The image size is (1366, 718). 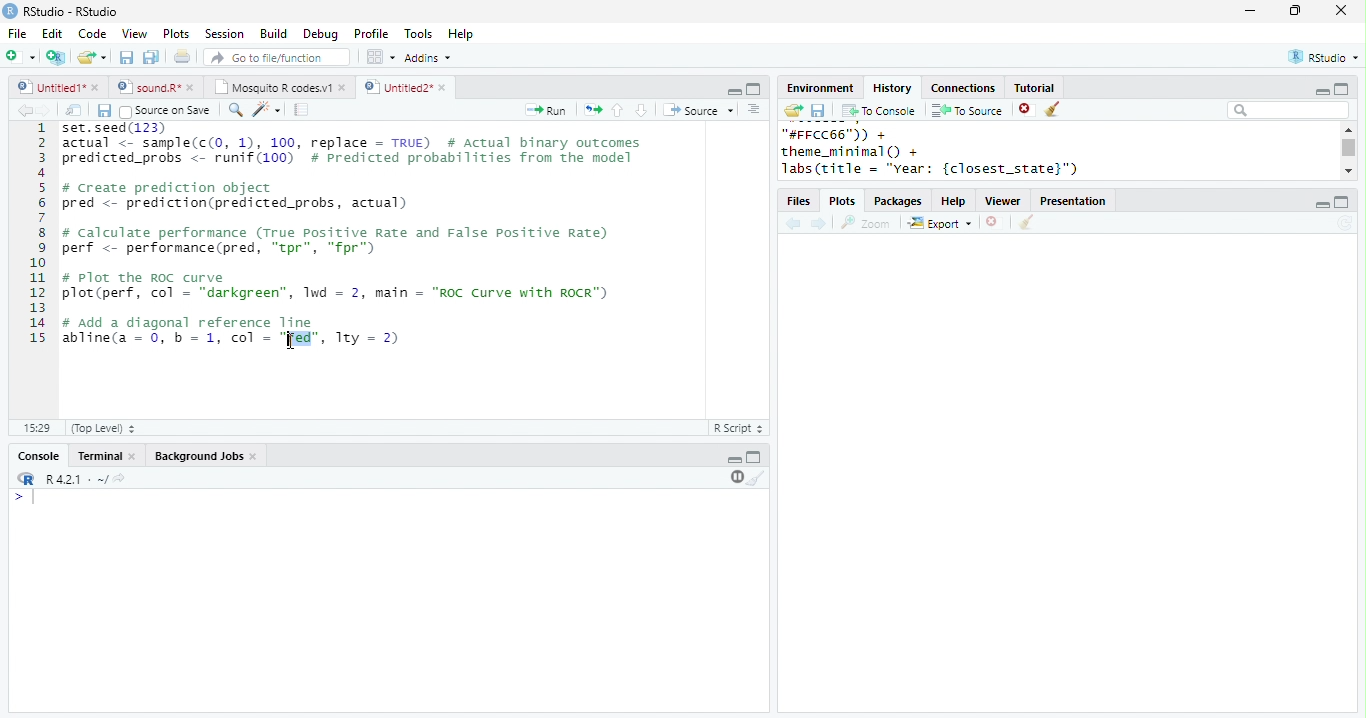 What do you see at coordinates (792, 110) in the screenshot?
I see `open folder` at bounding box center [792, 110].